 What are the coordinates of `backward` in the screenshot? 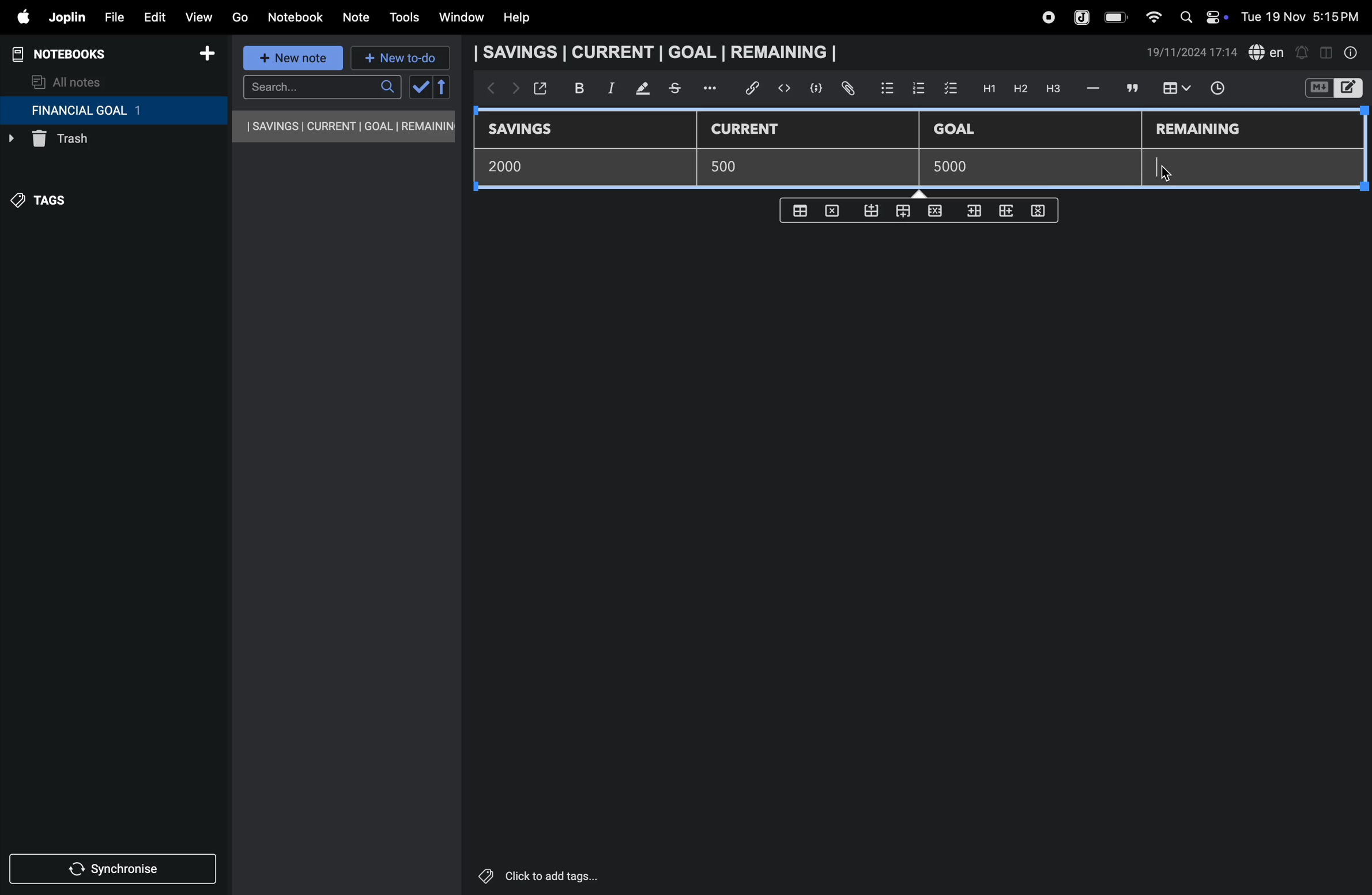 It's located at (487, 89).